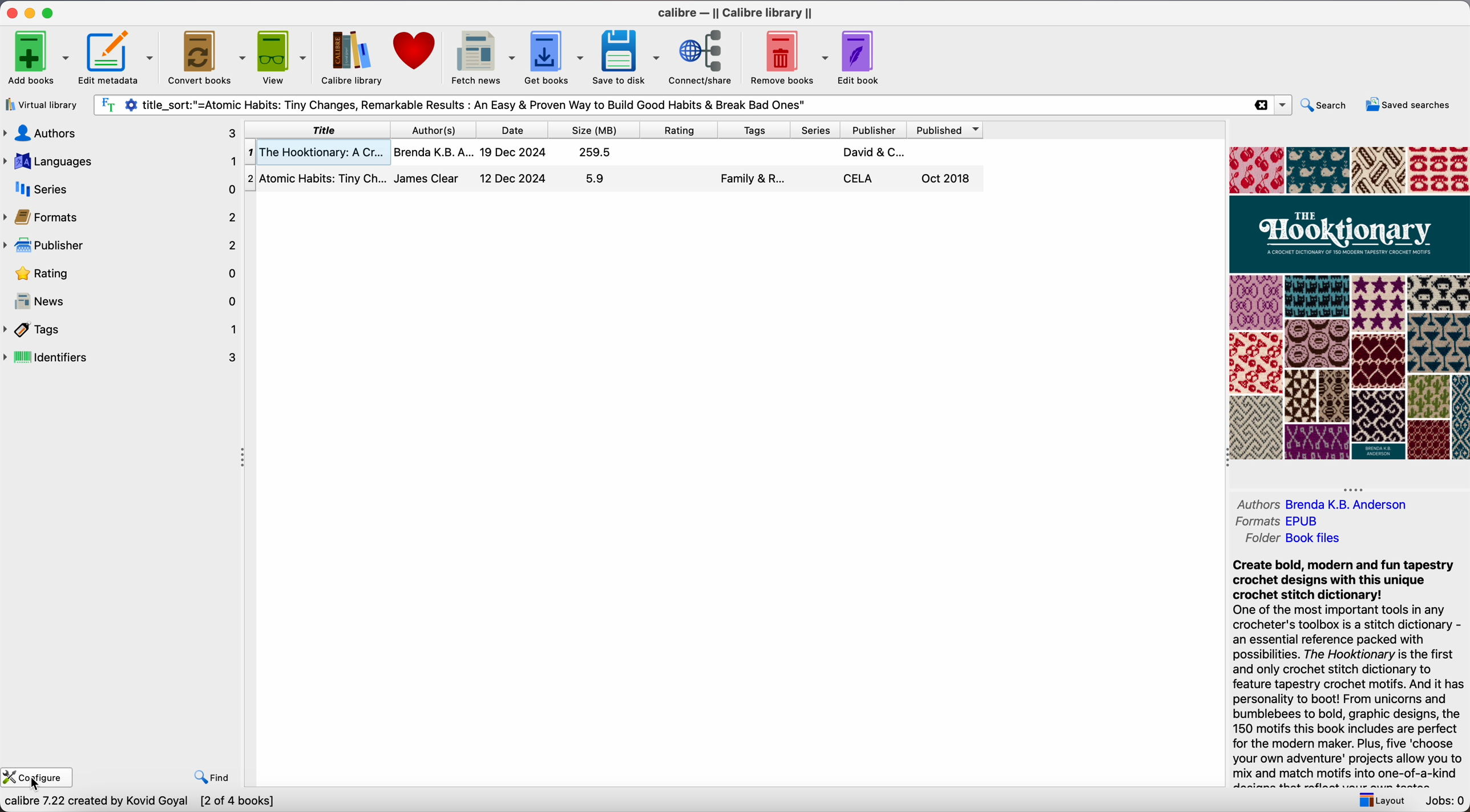  I want to click on edit book, so click(863, 58).